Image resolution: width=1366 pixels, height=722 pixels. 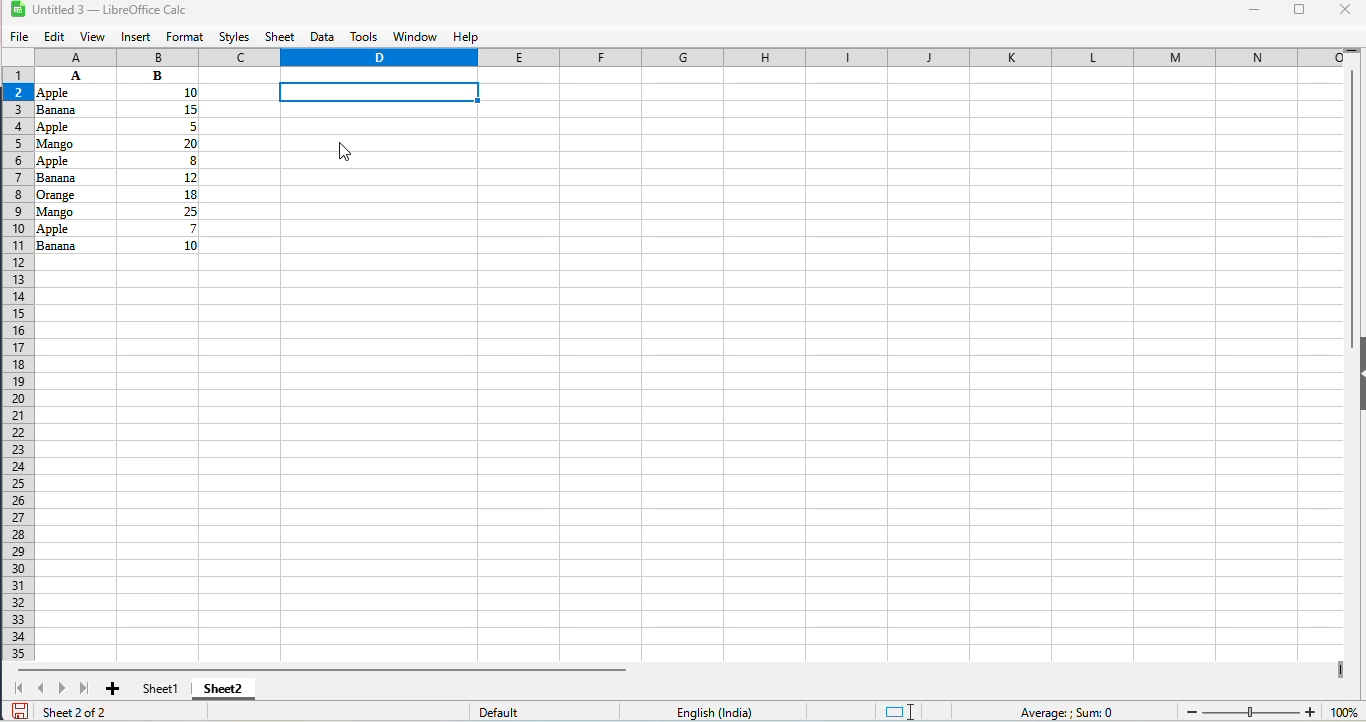 I want to click on click to save document, so click(x=20, y=712).